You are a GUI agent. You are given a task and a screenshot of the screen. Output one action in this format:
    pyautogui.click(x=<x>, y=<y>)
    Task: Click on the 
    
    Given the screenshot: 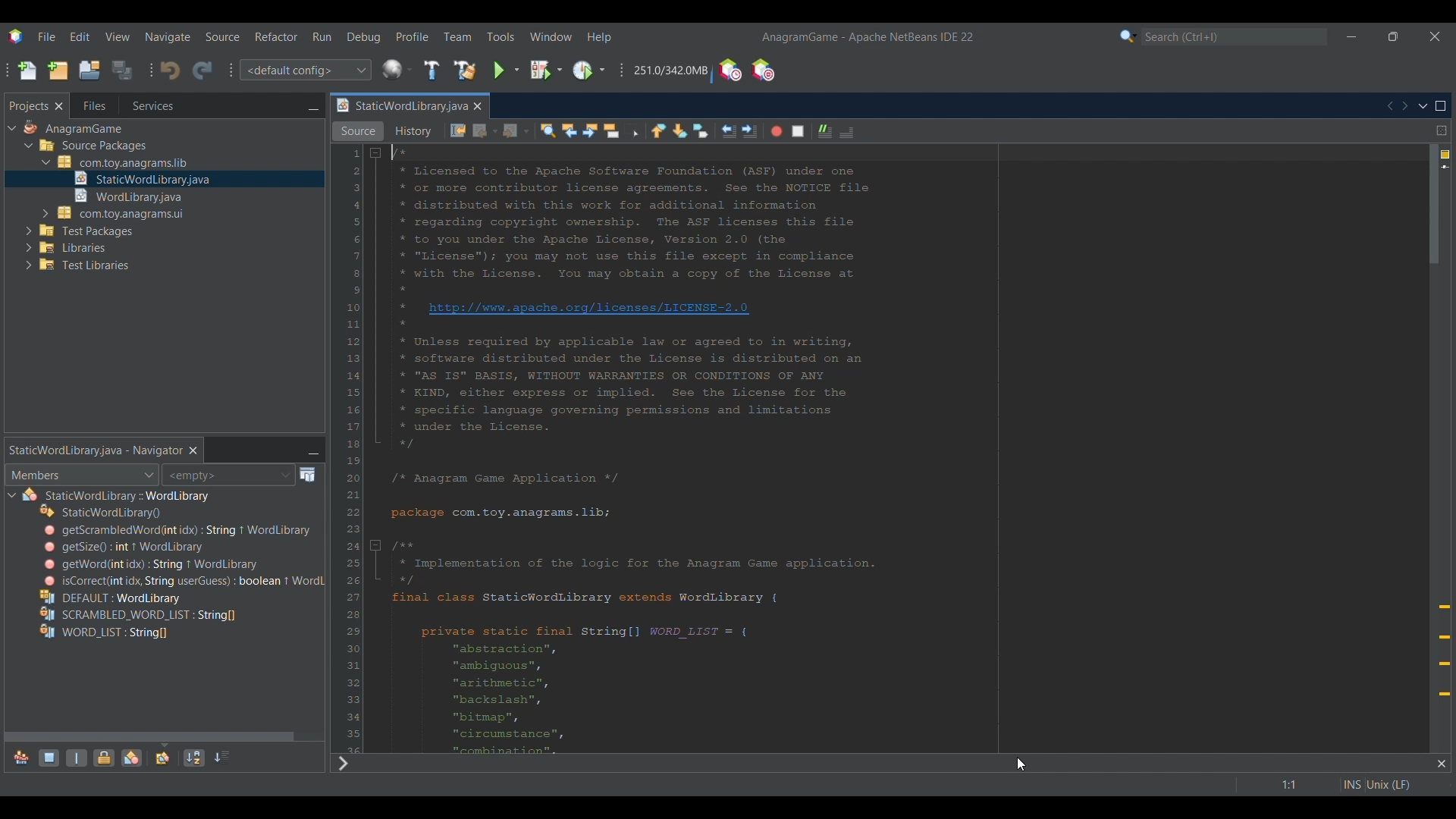 What is the action you would take?
    pyautogui.click(x=117, y=597)
    